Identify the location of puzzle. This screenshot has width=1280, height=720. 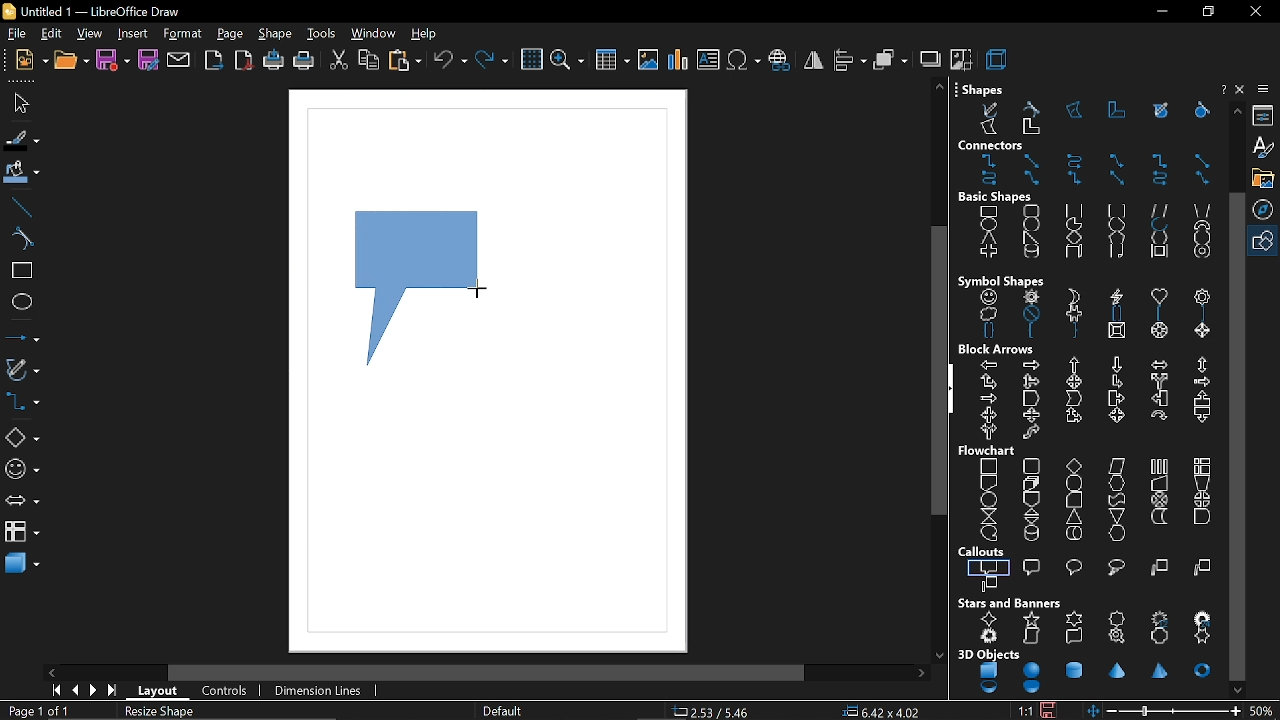
(1072, 314).